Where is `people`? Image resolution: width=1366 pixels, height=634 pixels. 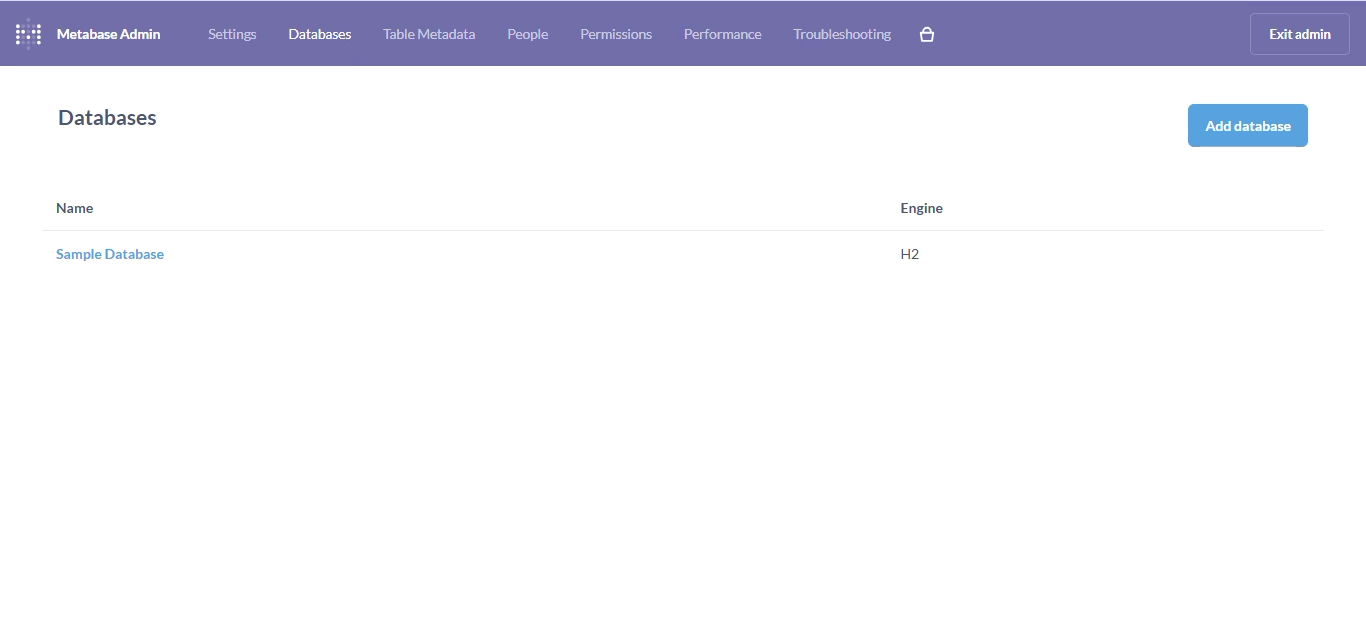
people is located at coordinates (528, 34).